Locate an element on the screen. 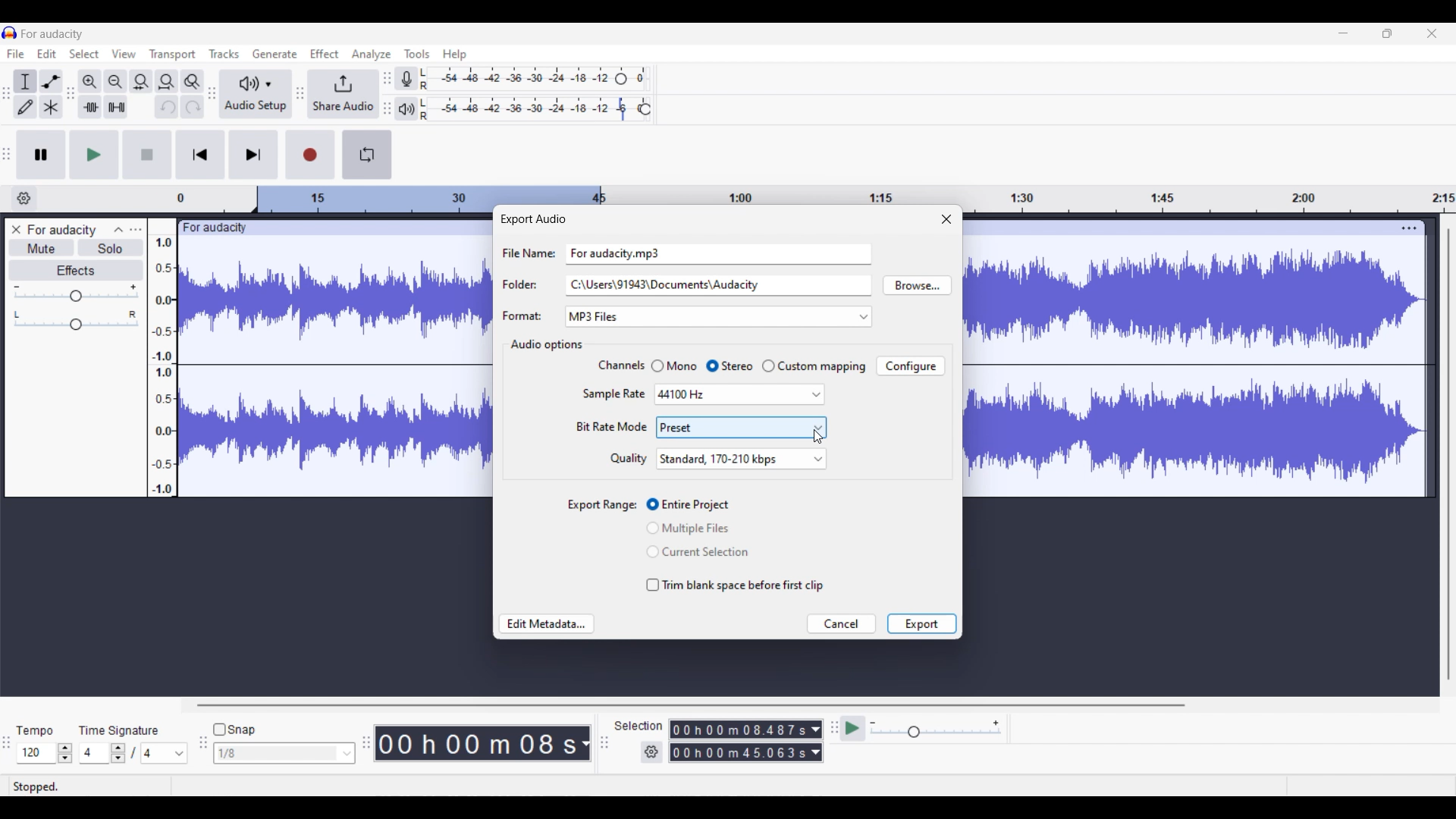 The width and height of the screenshot is (1456, 819). Duration measurement is located at coordinates (816, 730).